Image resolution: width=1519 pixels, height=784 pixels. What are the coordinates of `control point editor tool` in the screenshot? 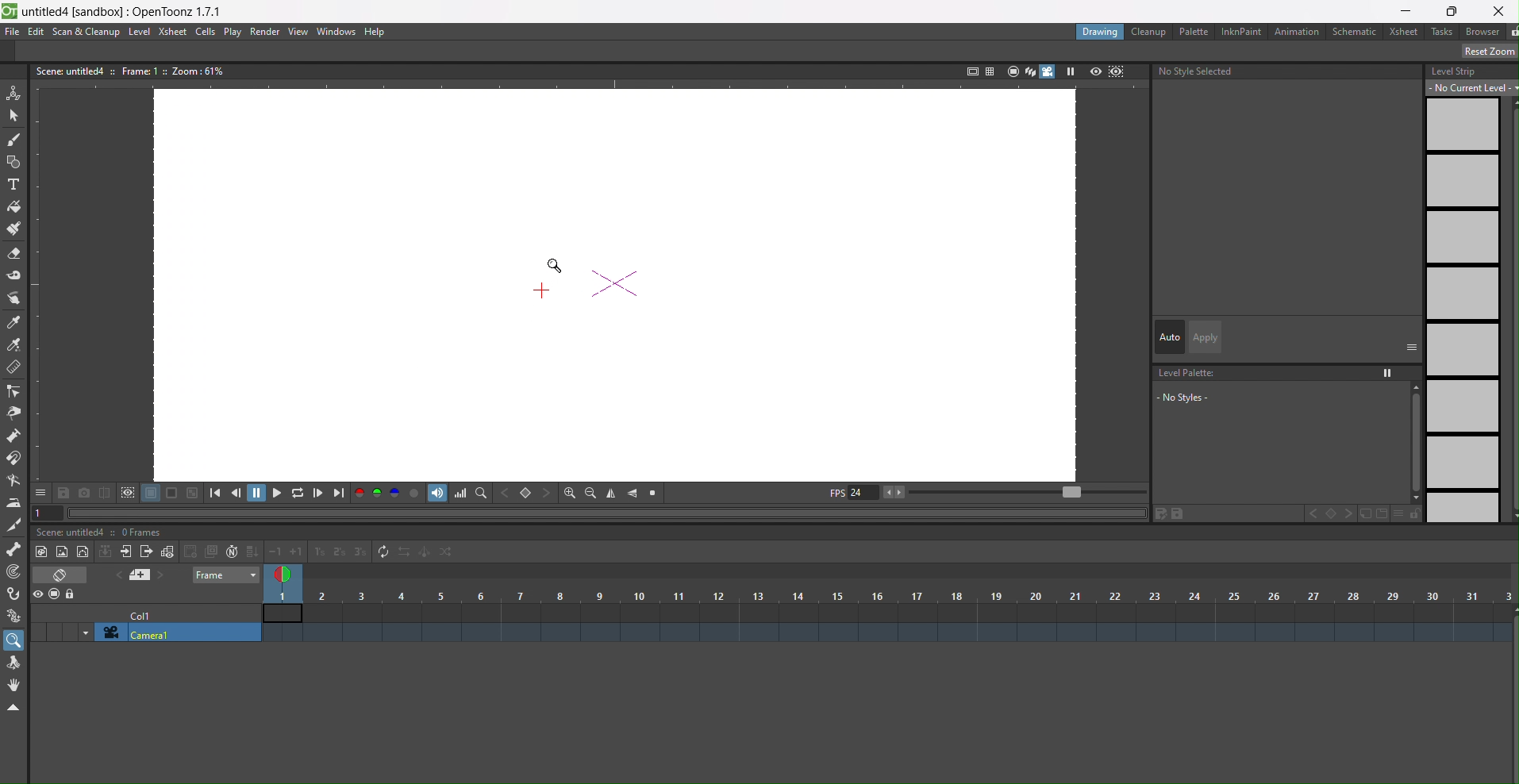 It's located at (15, 391).